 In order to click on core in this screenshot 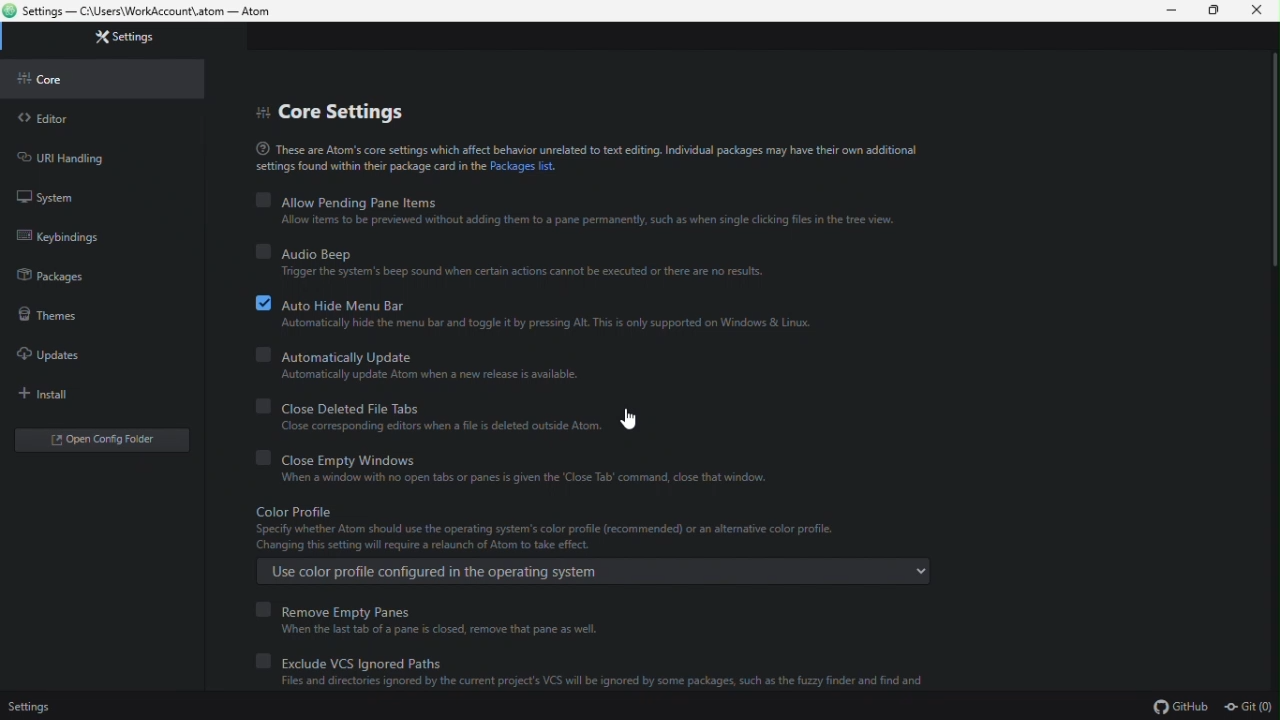, I will do `click(103, 77)`.